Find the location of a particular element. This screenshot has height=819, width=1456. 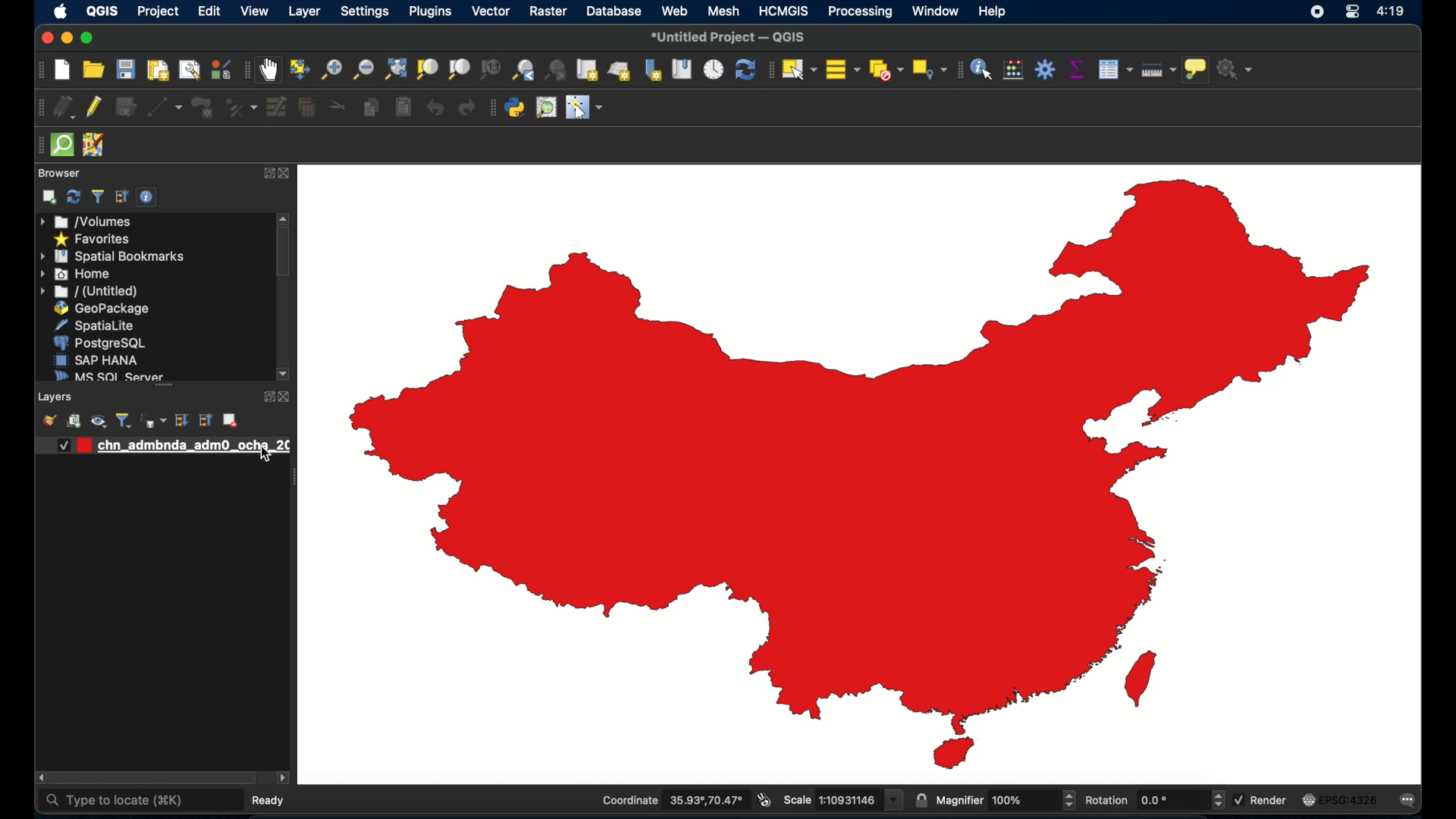

add group is located at coordinates (74, 422).